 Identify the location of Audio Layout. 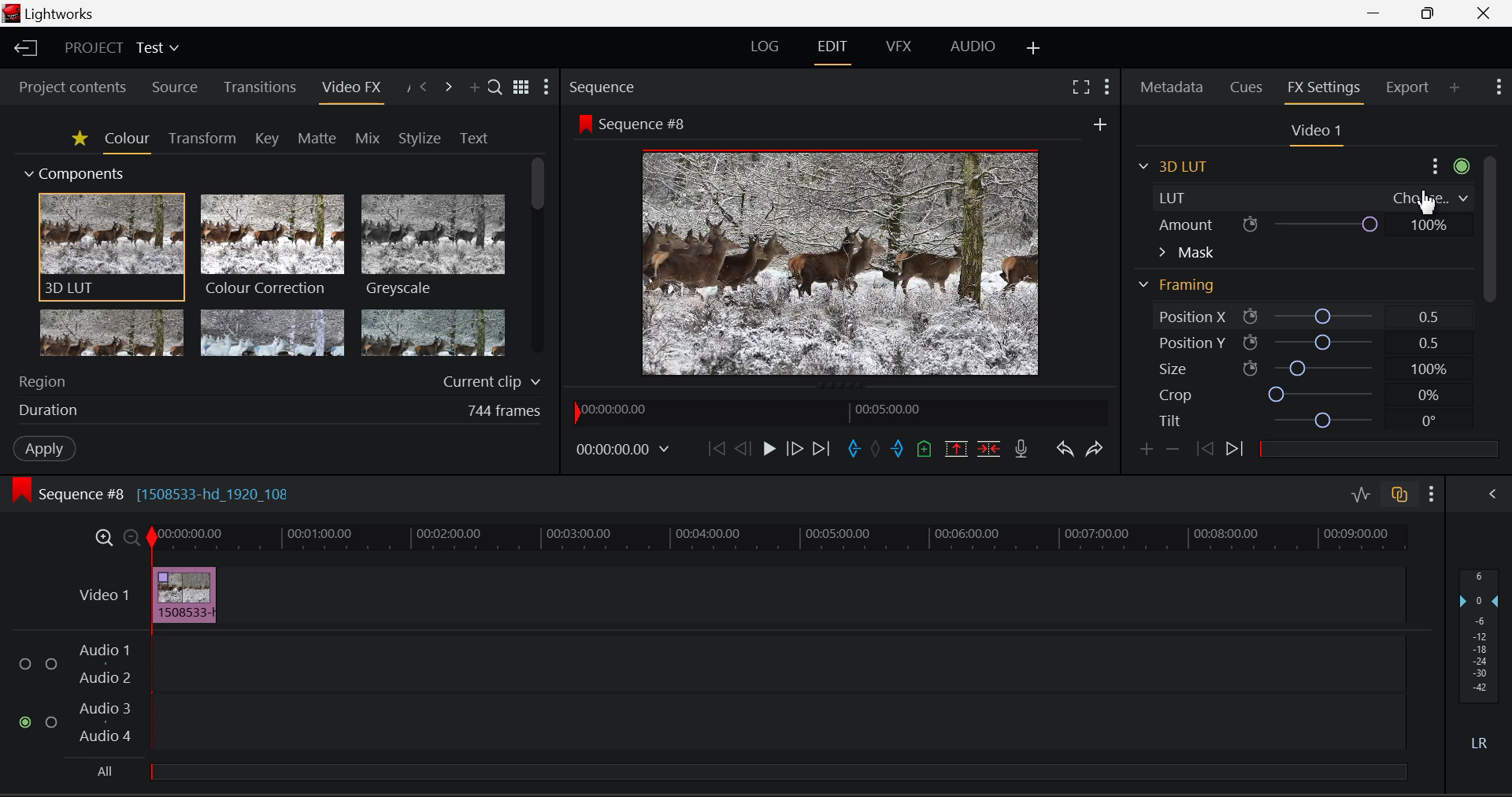
(970, 47).